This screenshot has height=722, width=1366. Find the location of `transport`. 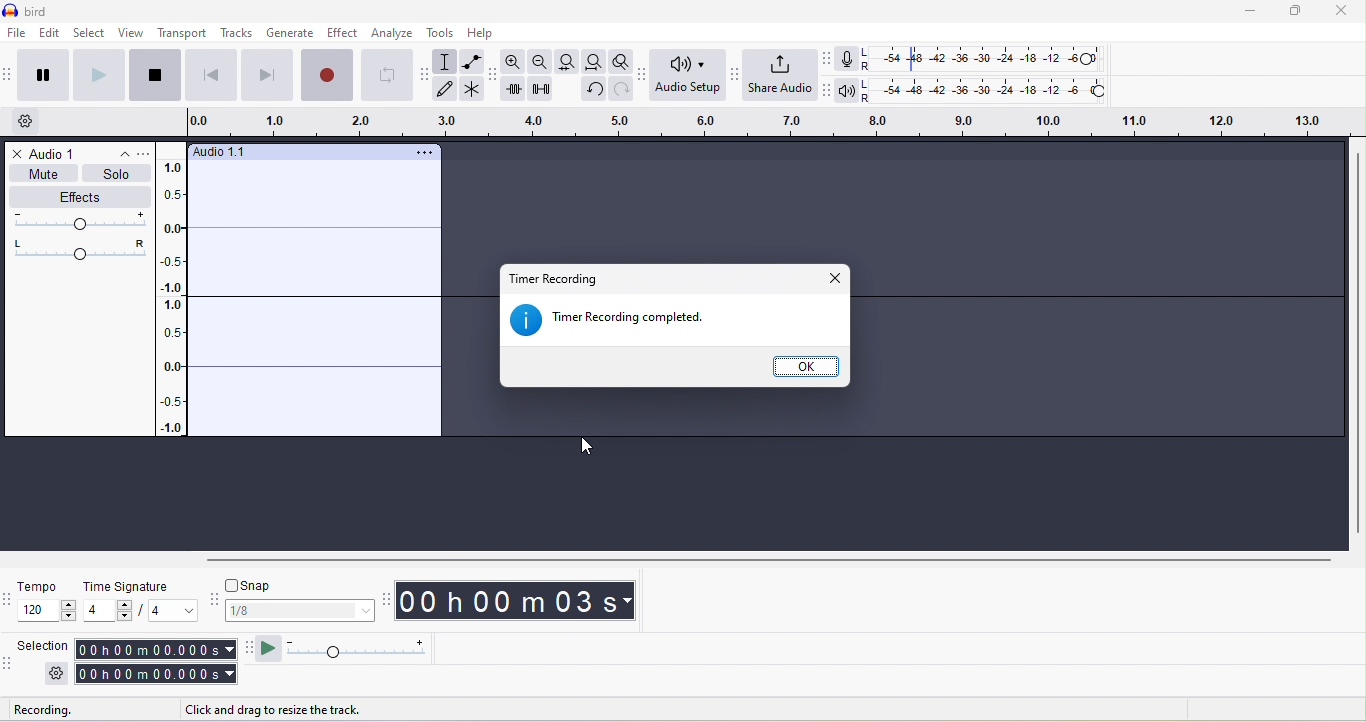

transport is located at coordinates (182, 32).